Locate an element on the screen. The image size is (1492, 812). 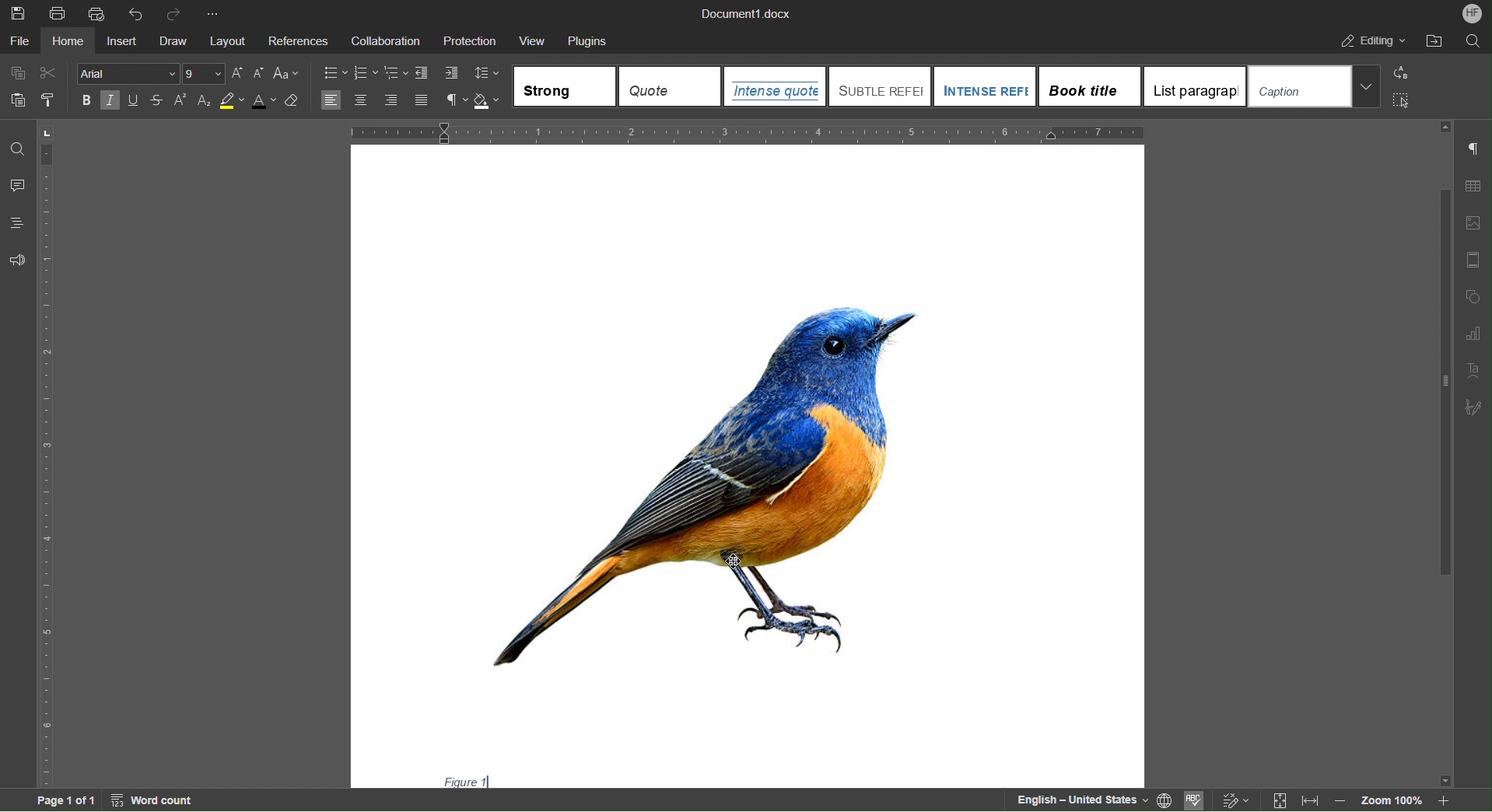
Table is located at coordinates (1473, 190).